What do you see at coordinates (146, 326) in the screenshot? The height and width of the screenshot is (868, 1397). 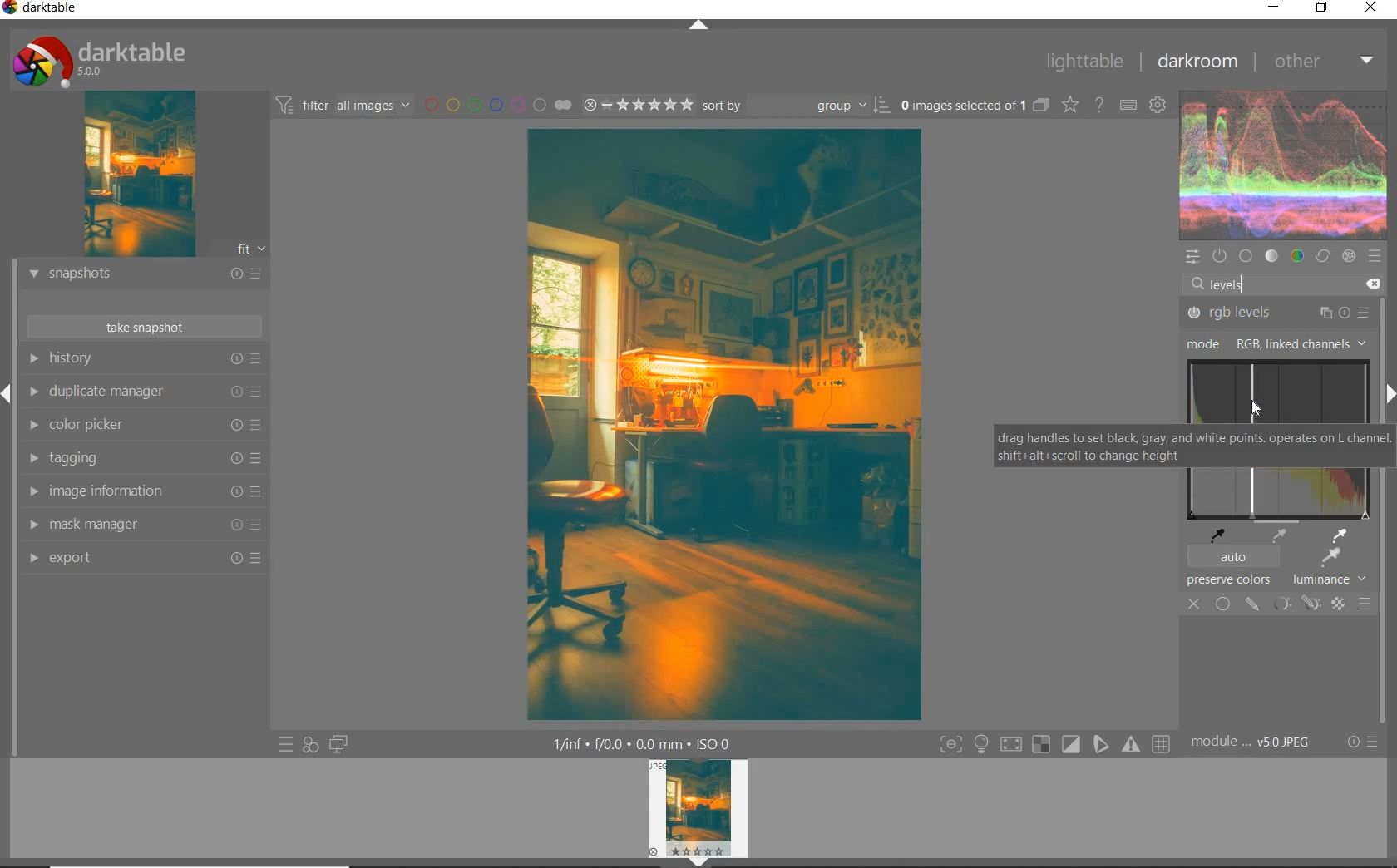 I see `take snapshot` at bounding box center [146, 326].